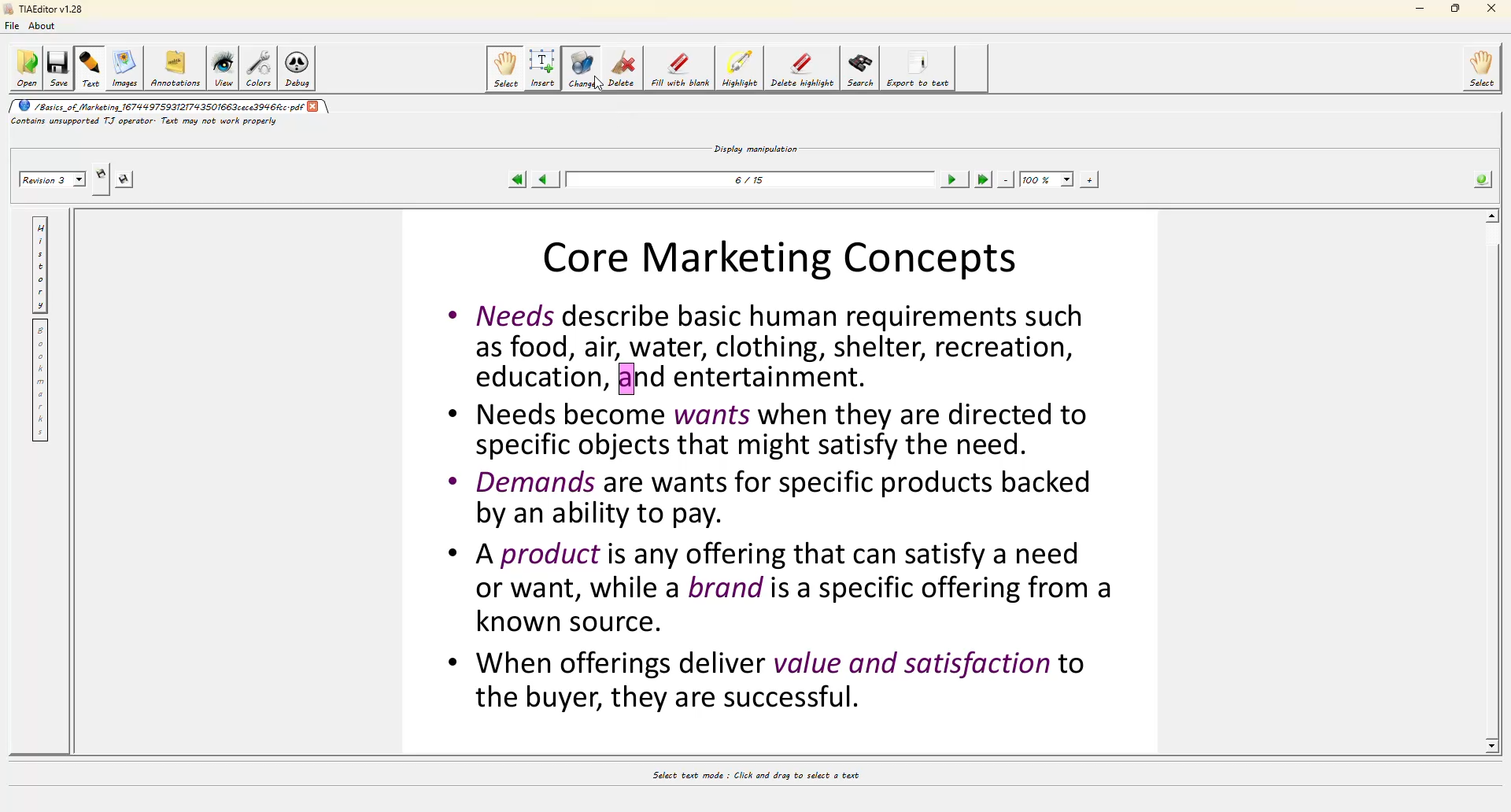 The image size is (1511, 812). Describe the element at coordinates (914, 66) in the screenshot. I see `export to text` at that location.